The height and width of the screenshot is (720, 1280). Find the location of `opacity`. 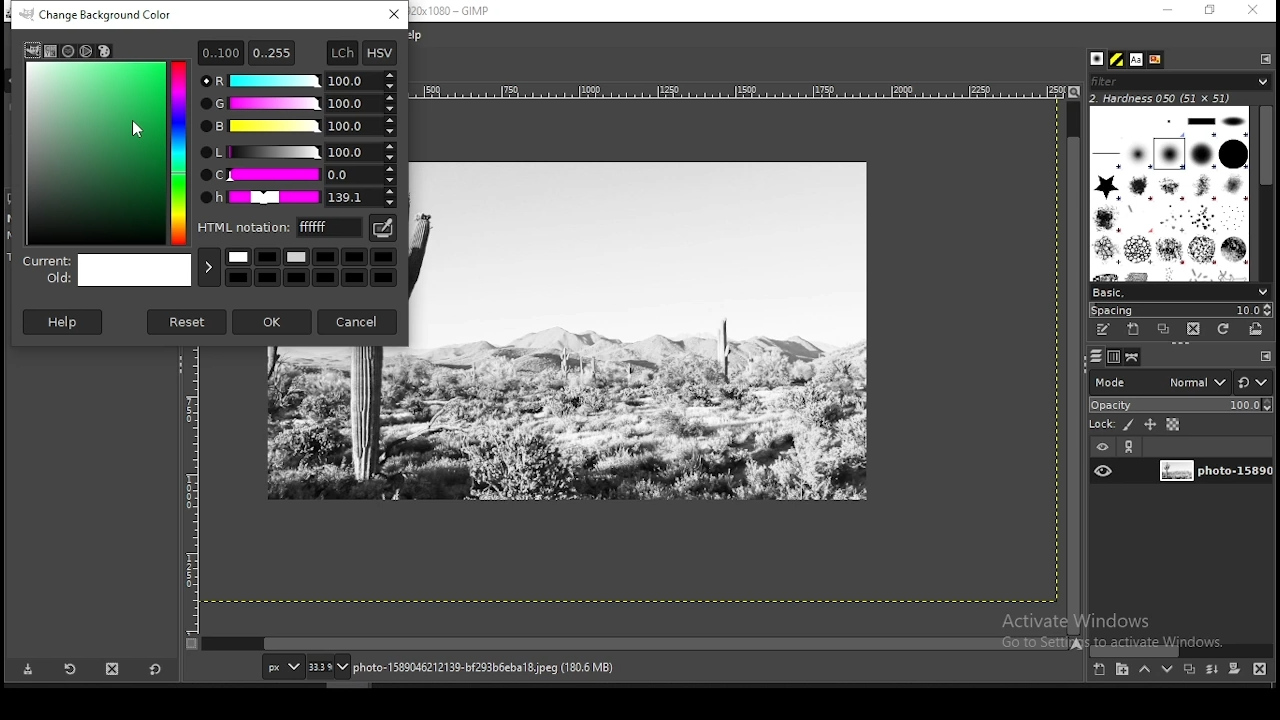

opacity is located at coordinates (1179, 403).